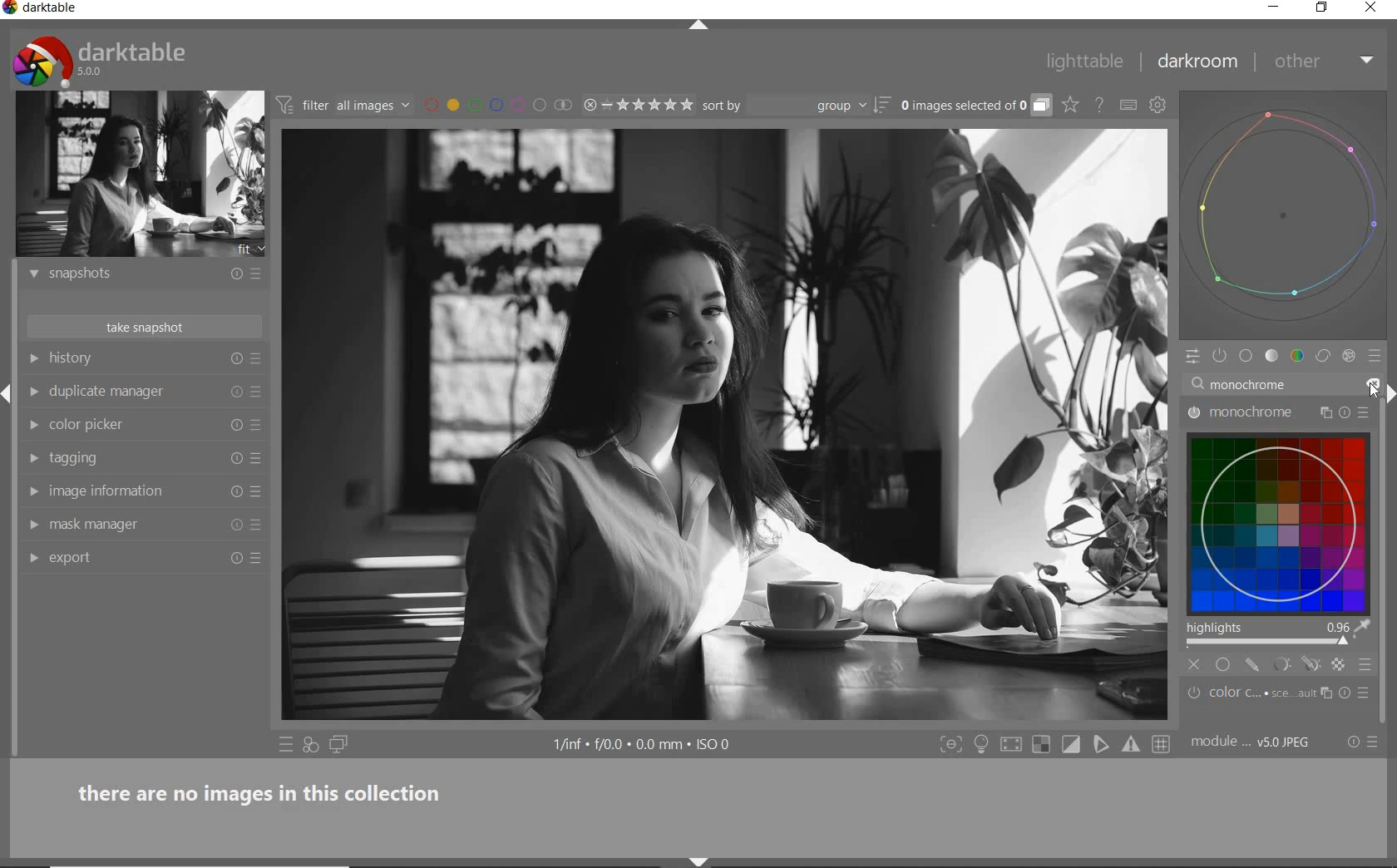  What do you see at coordinates (1085, 64) in the screenshot?
I see `lighttable` at bounding box center [1085, 64].